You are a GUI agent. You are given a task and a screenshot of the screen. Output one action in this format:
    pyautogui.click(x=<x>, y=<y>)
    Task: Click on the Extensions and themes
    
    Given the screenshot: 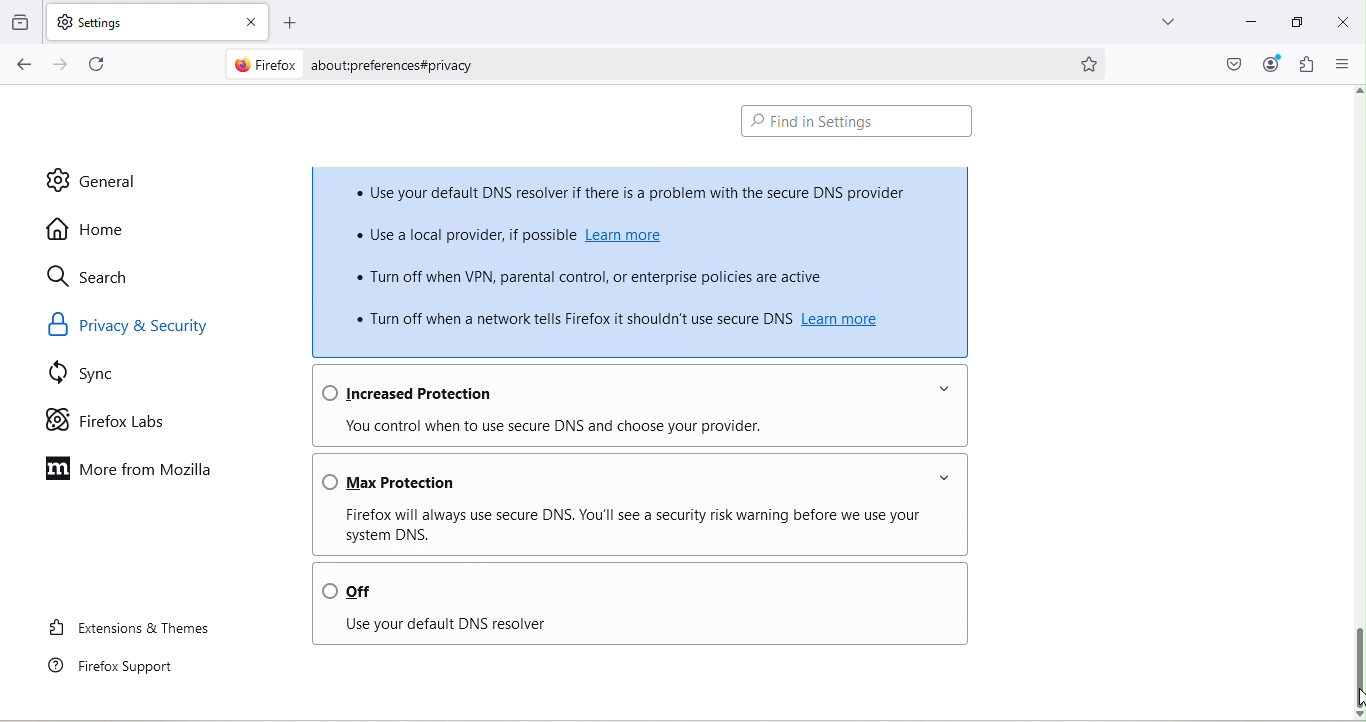 What is the action you would take?
    pyautogui.click(x=130, y=632)
    